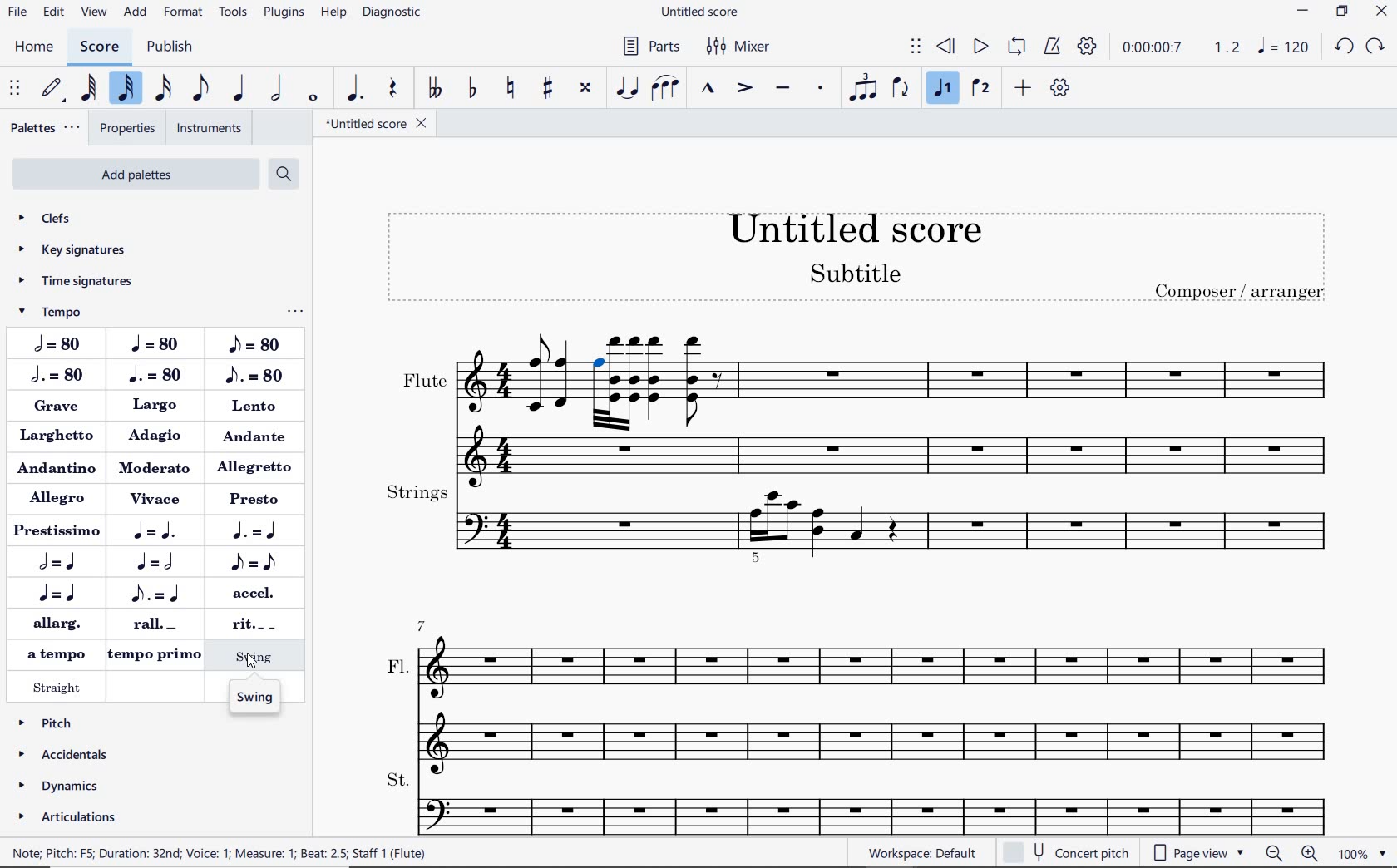 This screenshot has height=868, width=1397. Describe the element at coordinates (249, 663) in the screenshot. I see `cursor` at that location.